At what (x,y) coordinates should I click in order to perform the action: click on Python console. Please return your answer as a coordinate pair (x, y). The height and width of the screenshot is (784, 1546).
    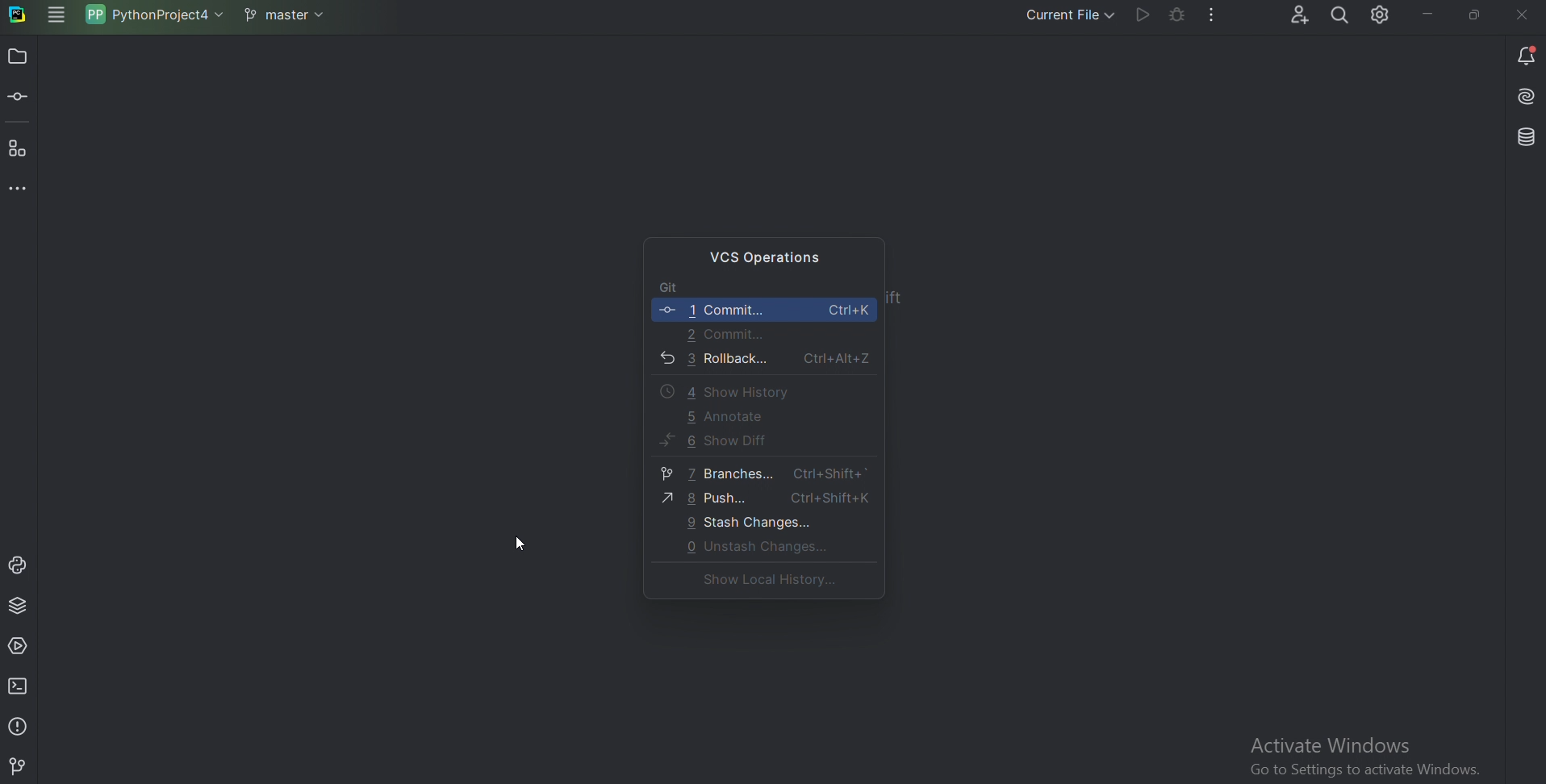
    Looking at the image, I should click on (21, 565).